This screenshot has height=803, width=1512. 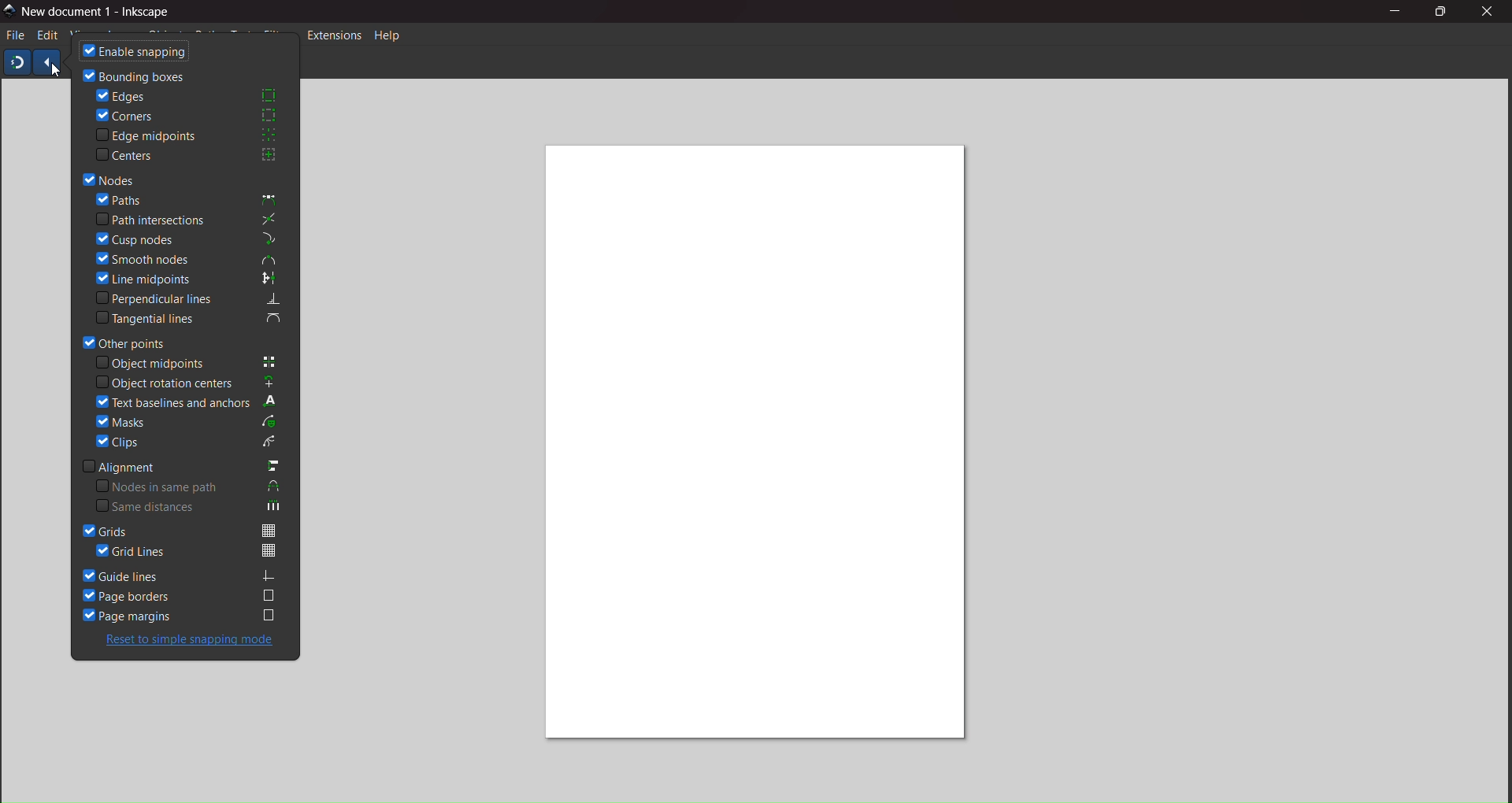 I want to click on close, so click(x=1492, y=13).